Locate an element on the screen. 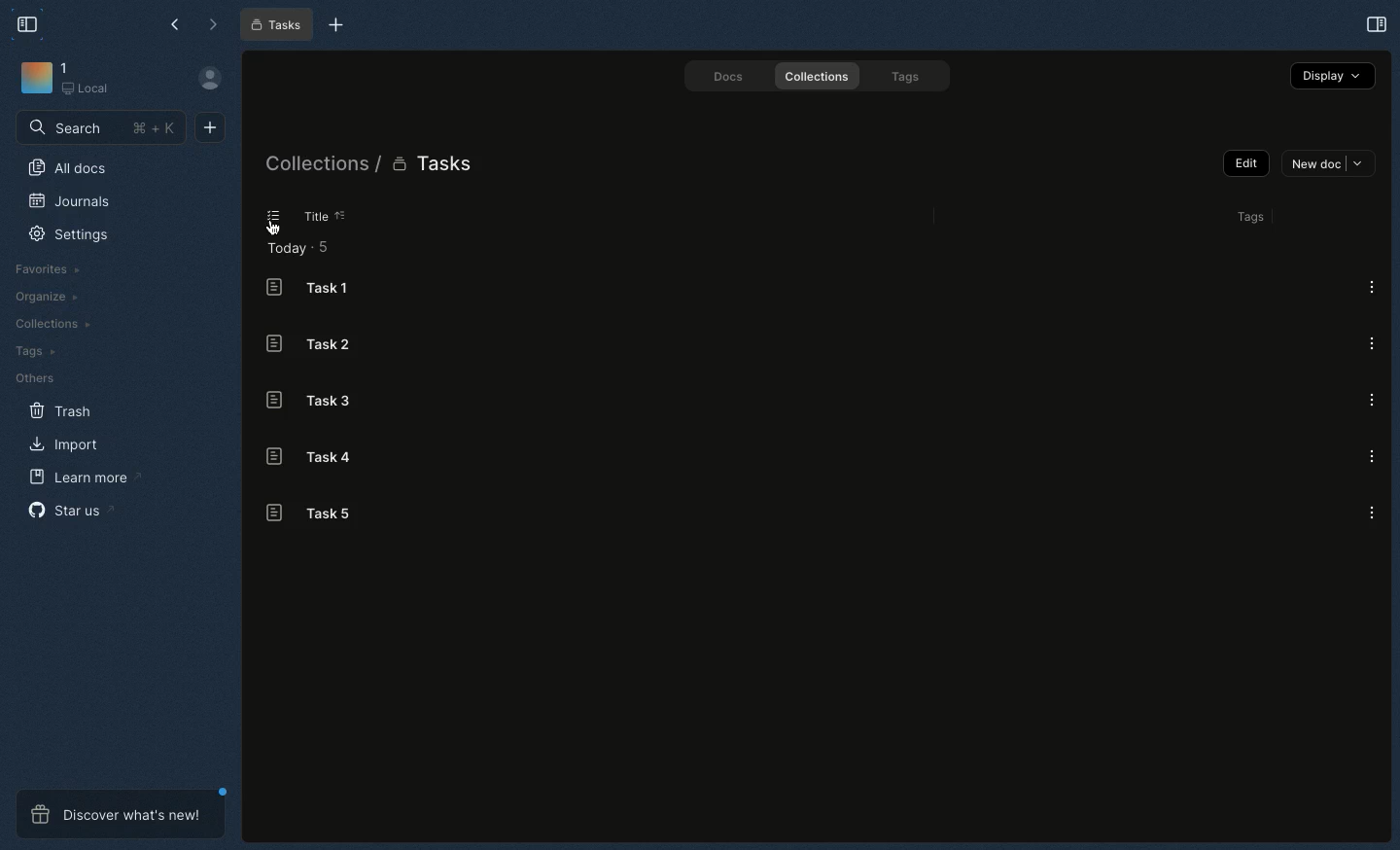  Open right panel is located at coordinates (1378, 24).